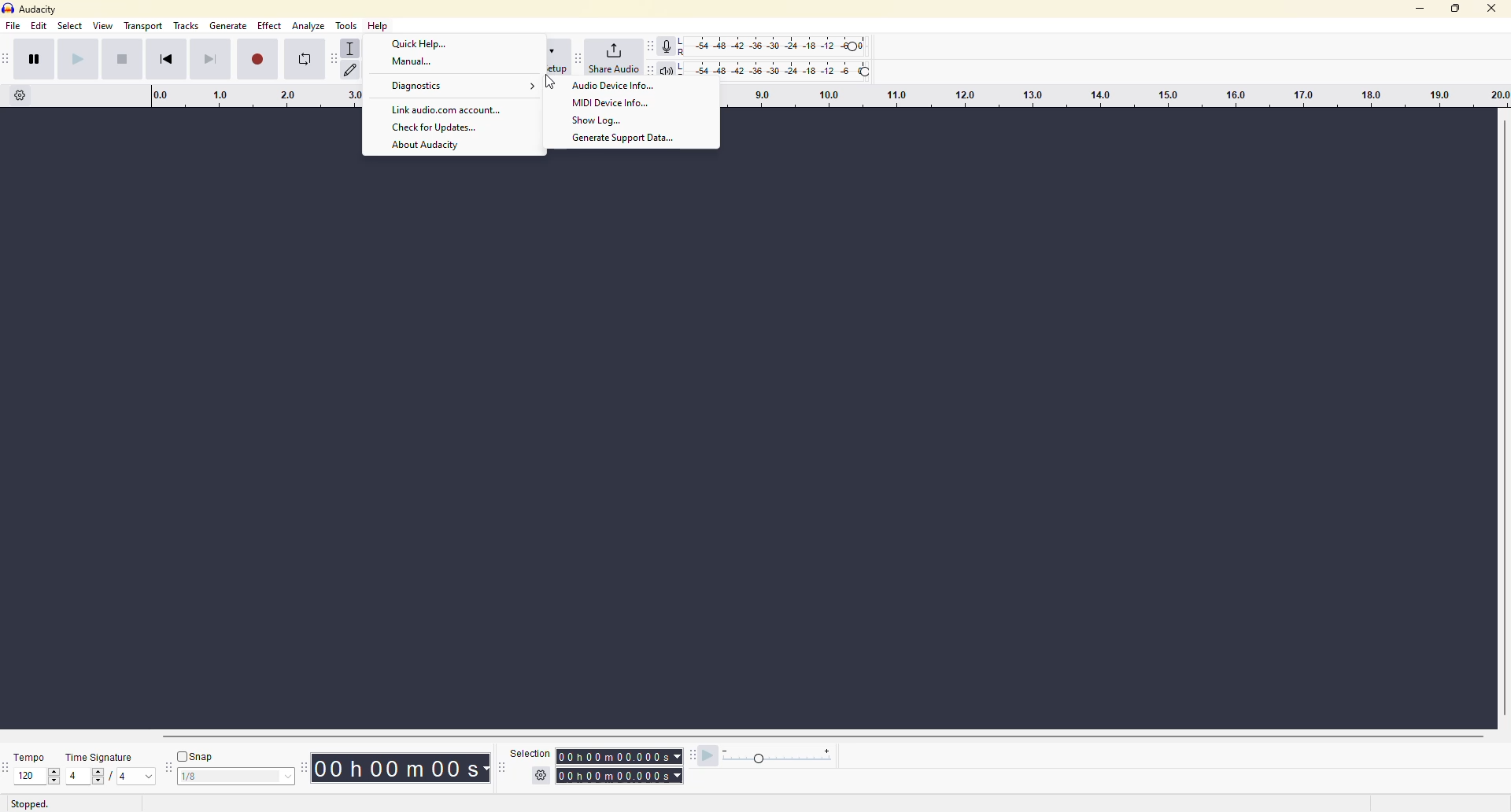 This screenshot has width=1511, height=812. I want to click on transport, so click(142, 27).